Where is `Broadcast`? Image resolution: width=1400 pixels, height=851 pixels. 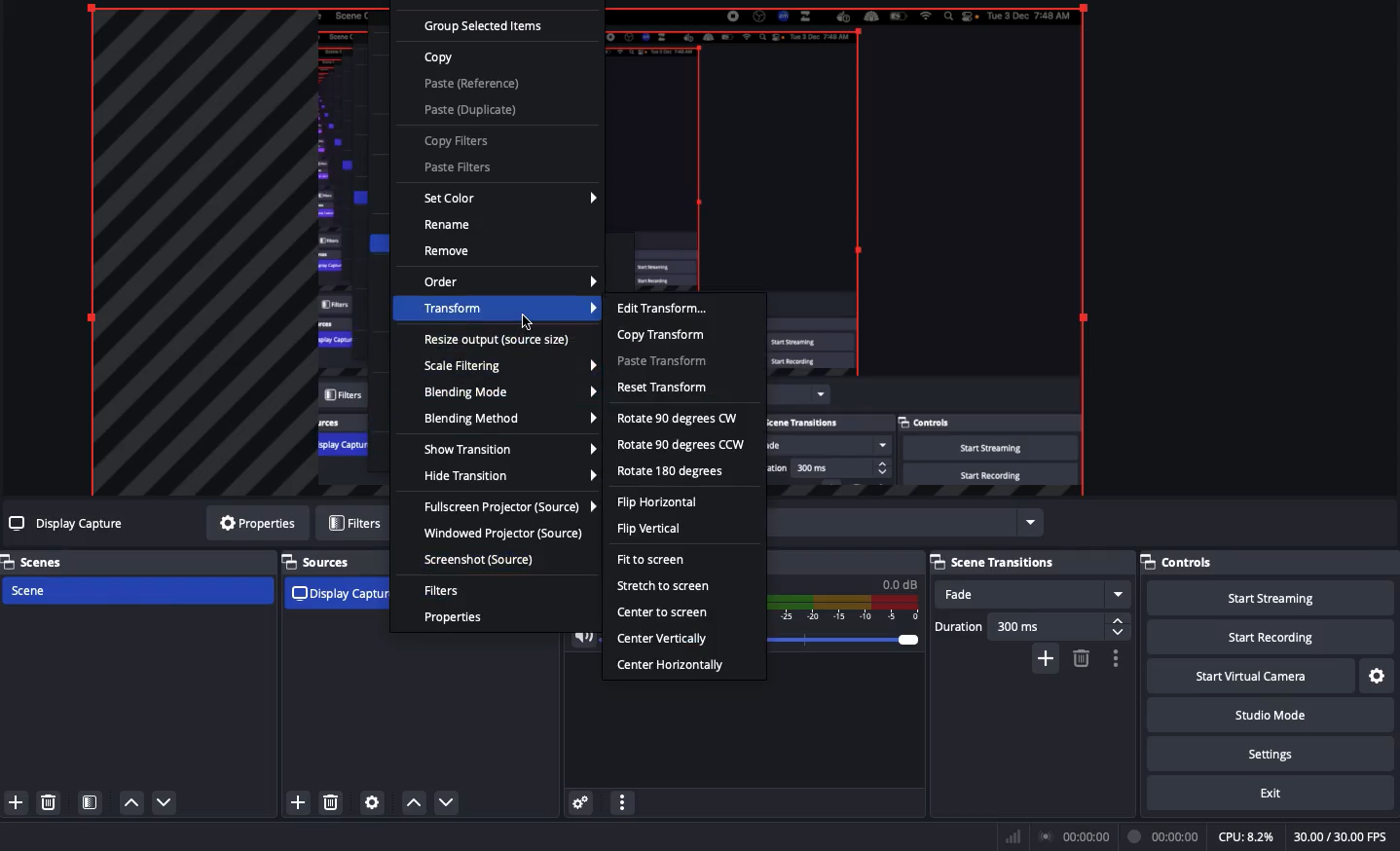
Broadcast is located at coordinates (1074, 836).